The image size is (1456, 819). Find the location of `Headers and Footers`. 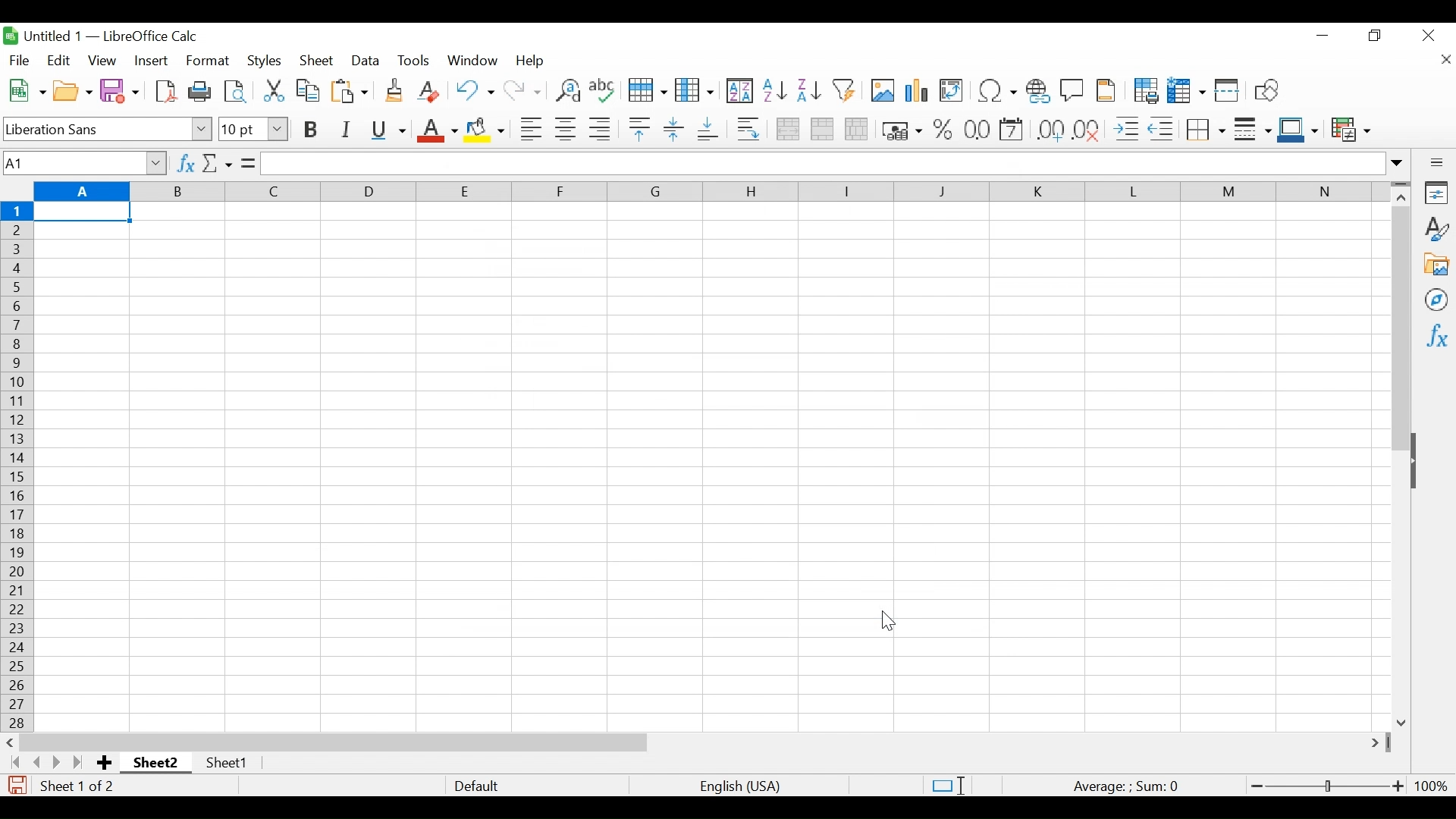

Headers and Footers is located at coordinates (1107, 91).